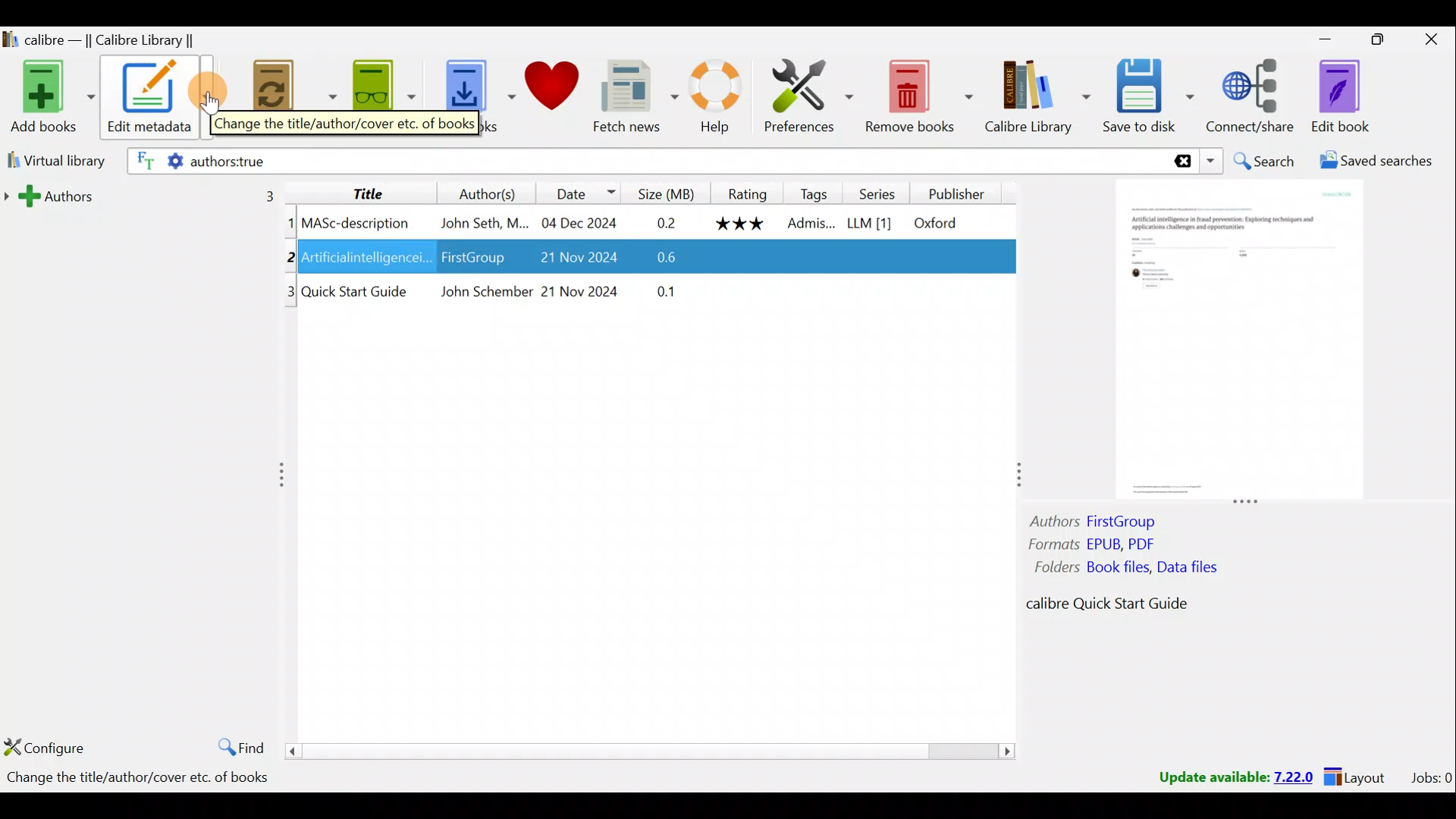  Describe the element at coordinates (1011, 473) in the screenshot. I see `Adjust column` at that location.